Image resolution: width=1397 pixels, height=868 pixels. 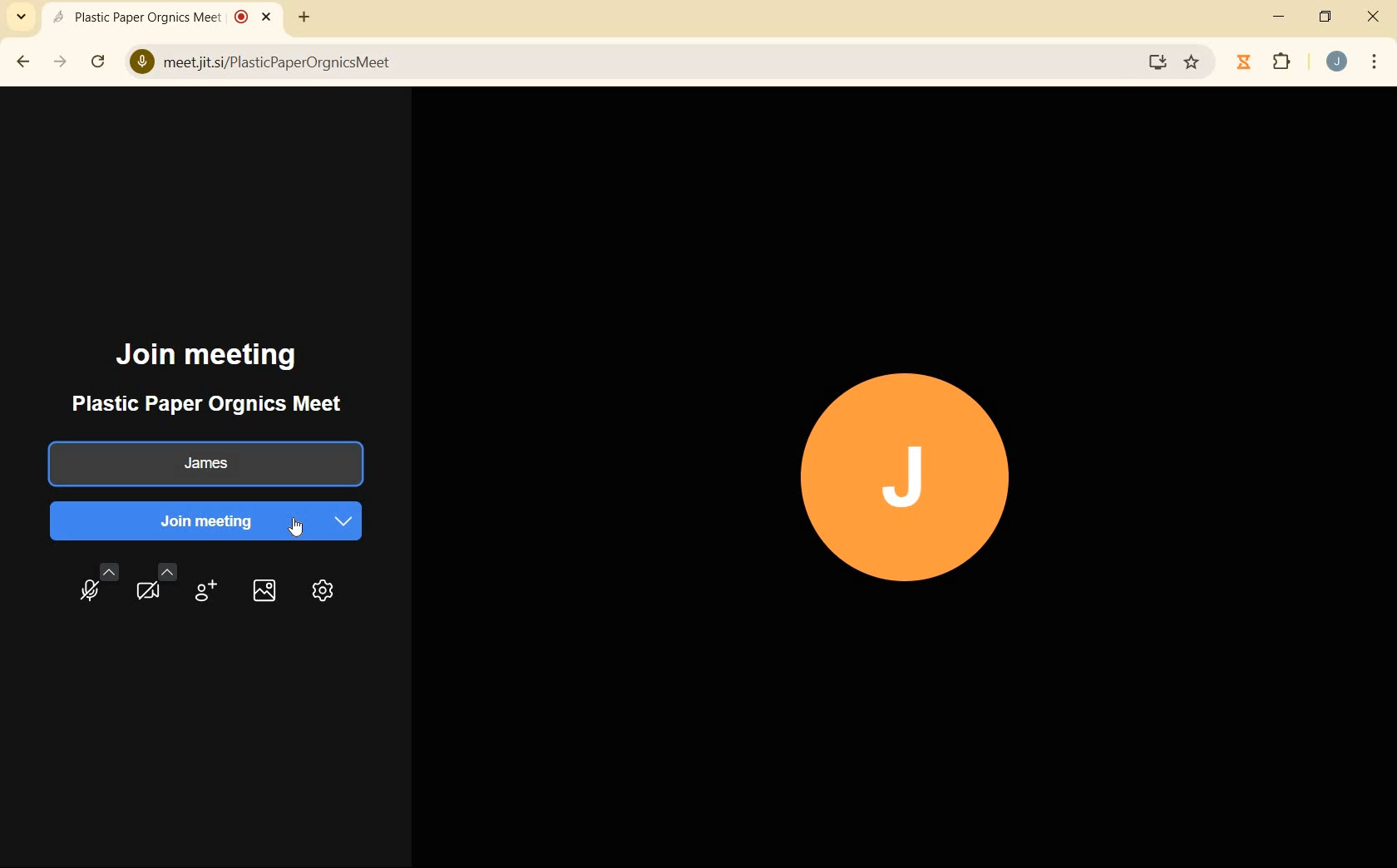 What do you see at coordinates (1158, 65) in the screenshot?
I see `install` at bounding box center [1158, 65].